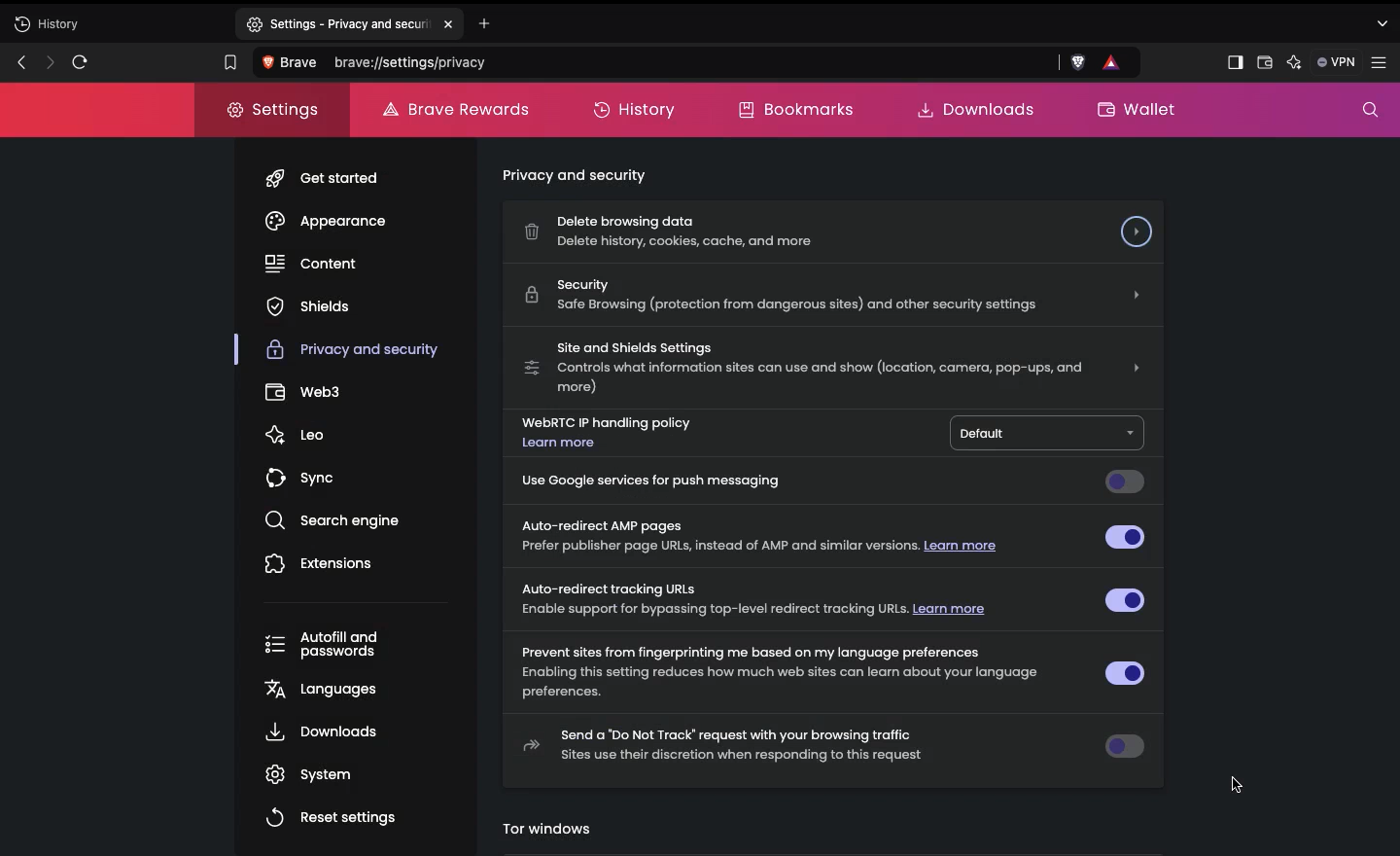 This screenshot has height=856, width=1400. I want to click on cursor, so click(1242, 784).